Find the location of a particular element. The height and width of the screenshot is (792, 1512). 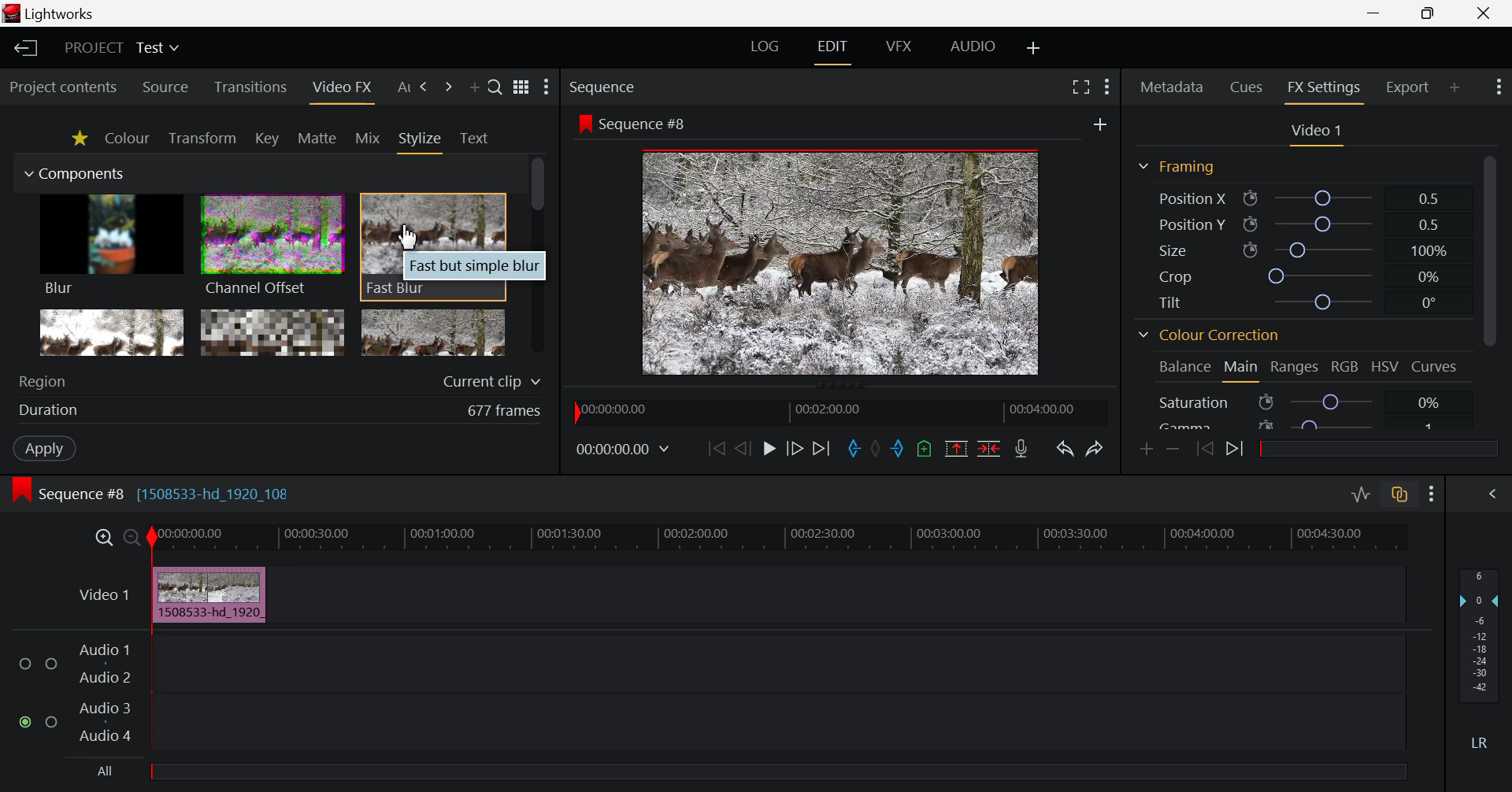

Position X is located at coordinates (1303, 198).